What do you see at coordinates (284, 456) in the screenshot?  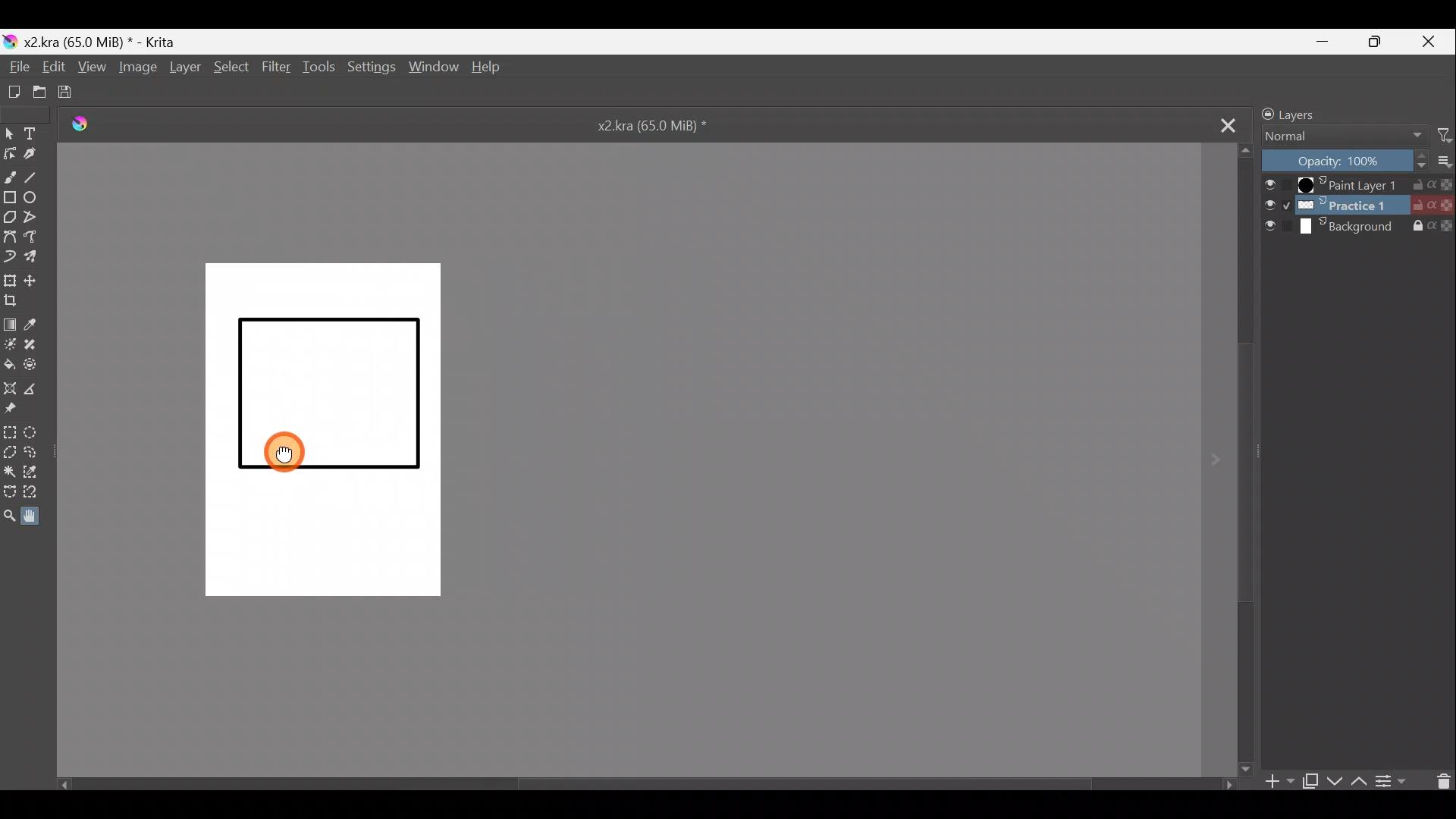 I see `Panning the canvas to the left` at bounding box center [284, 456].